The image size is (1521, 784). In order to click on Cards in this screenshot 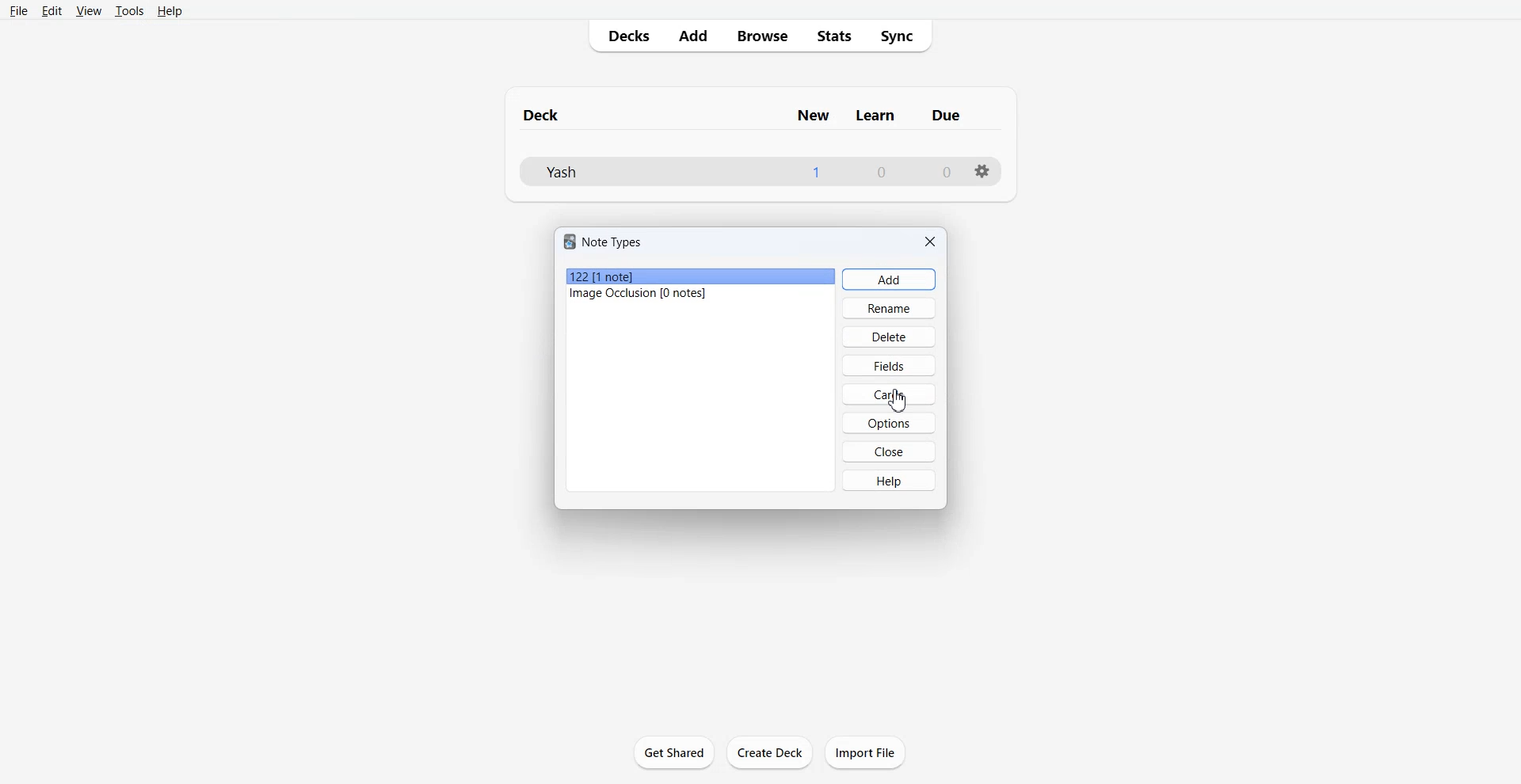, I will do `click(889, 394)`.